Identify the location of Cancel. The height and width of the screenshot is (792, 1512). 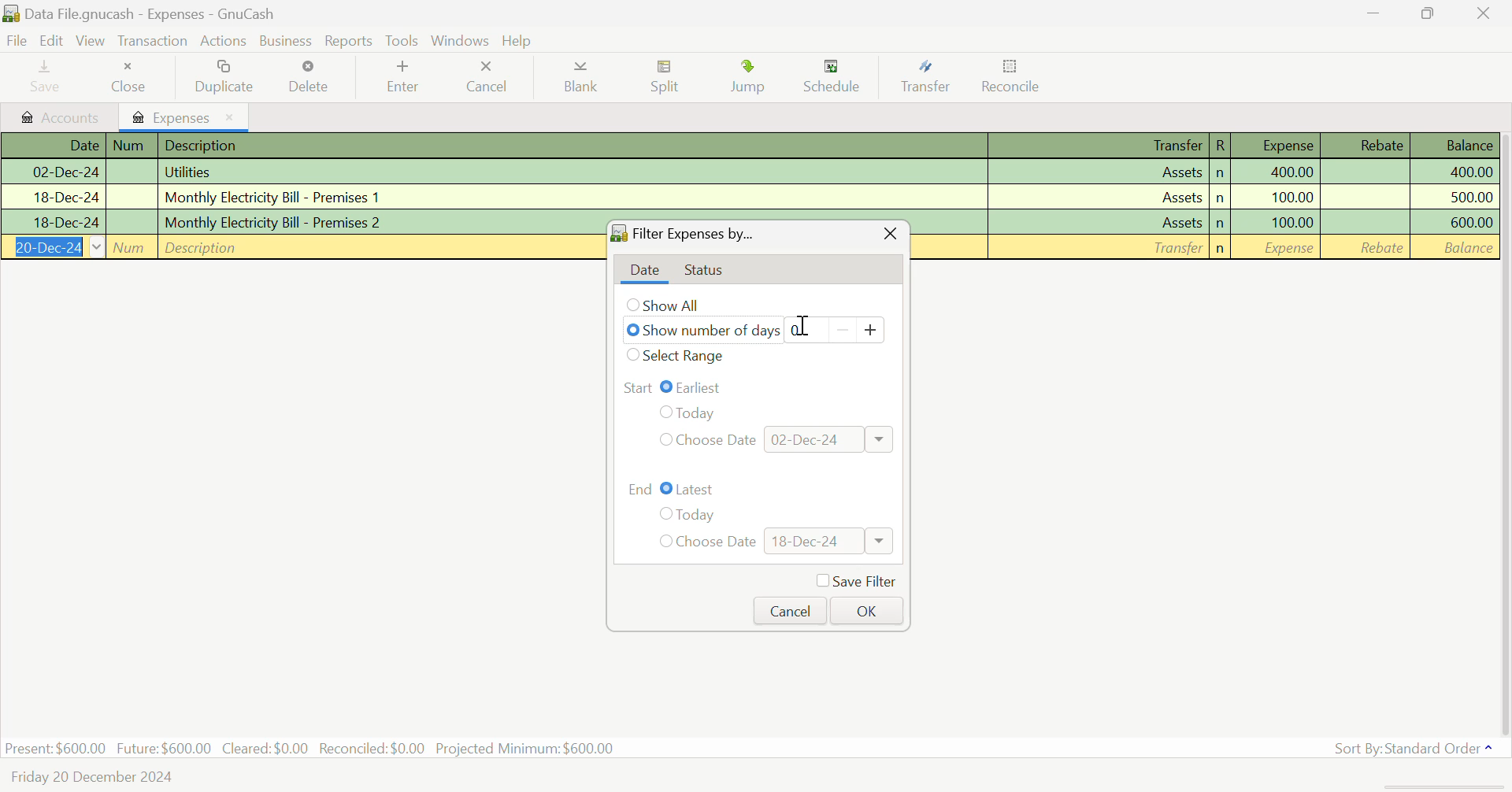
(491, 79).